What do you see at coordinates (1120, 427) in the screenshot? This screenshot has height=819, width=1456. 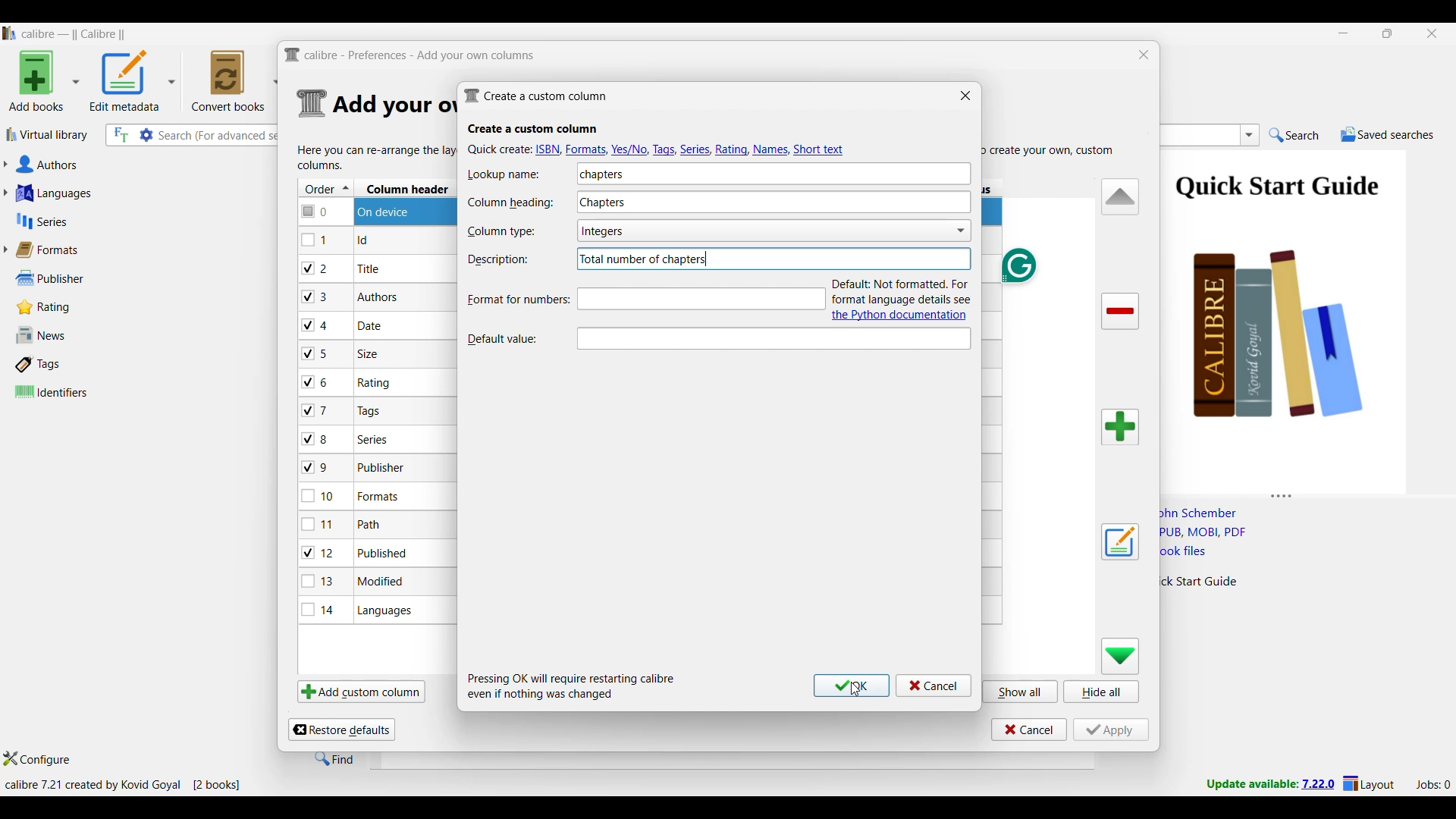 I see `Add column` at bounding box center [1120, 427].